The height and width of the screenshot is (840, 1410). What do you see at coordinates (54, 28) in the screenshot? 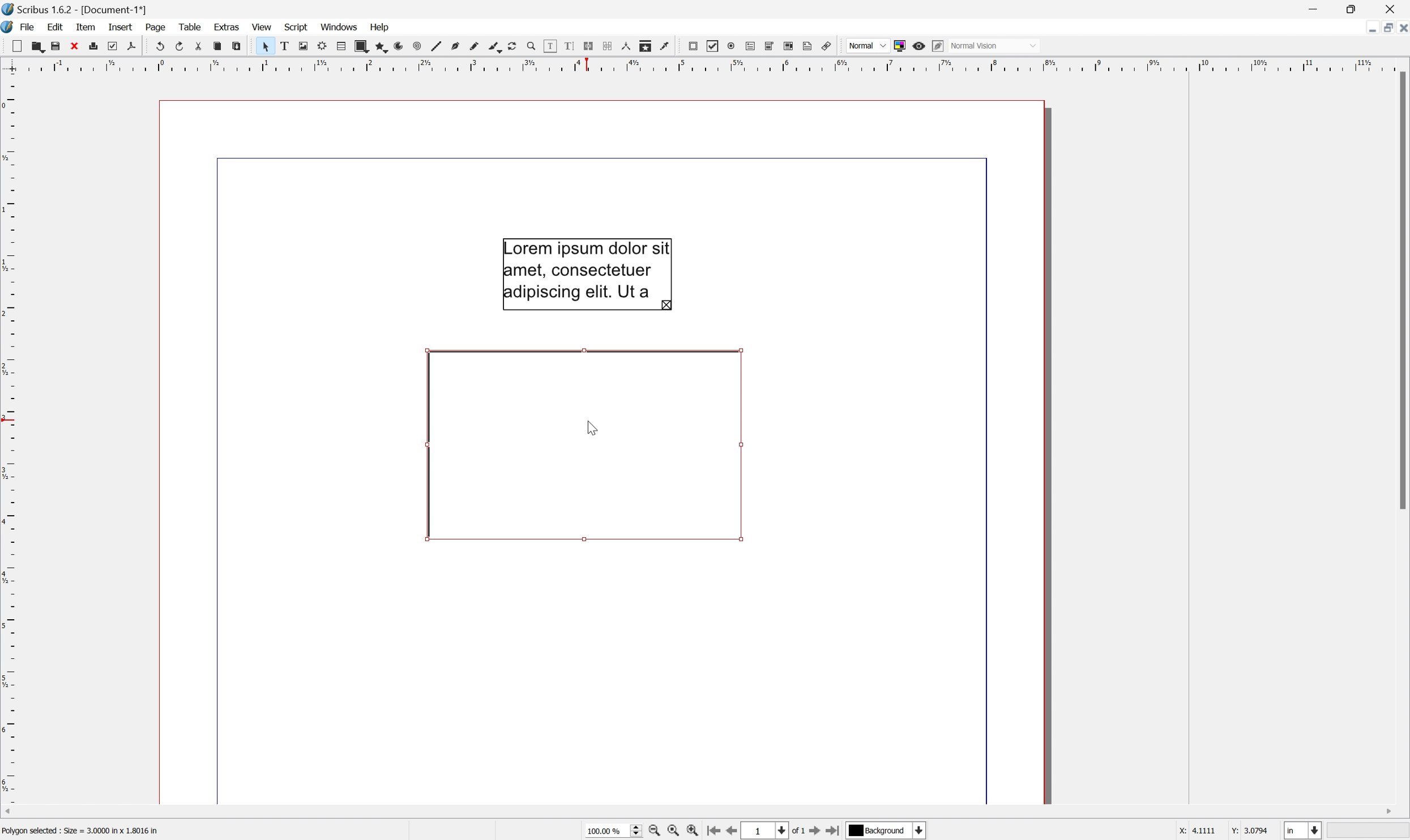
I see `Edit` at bounding box center [54, 28].